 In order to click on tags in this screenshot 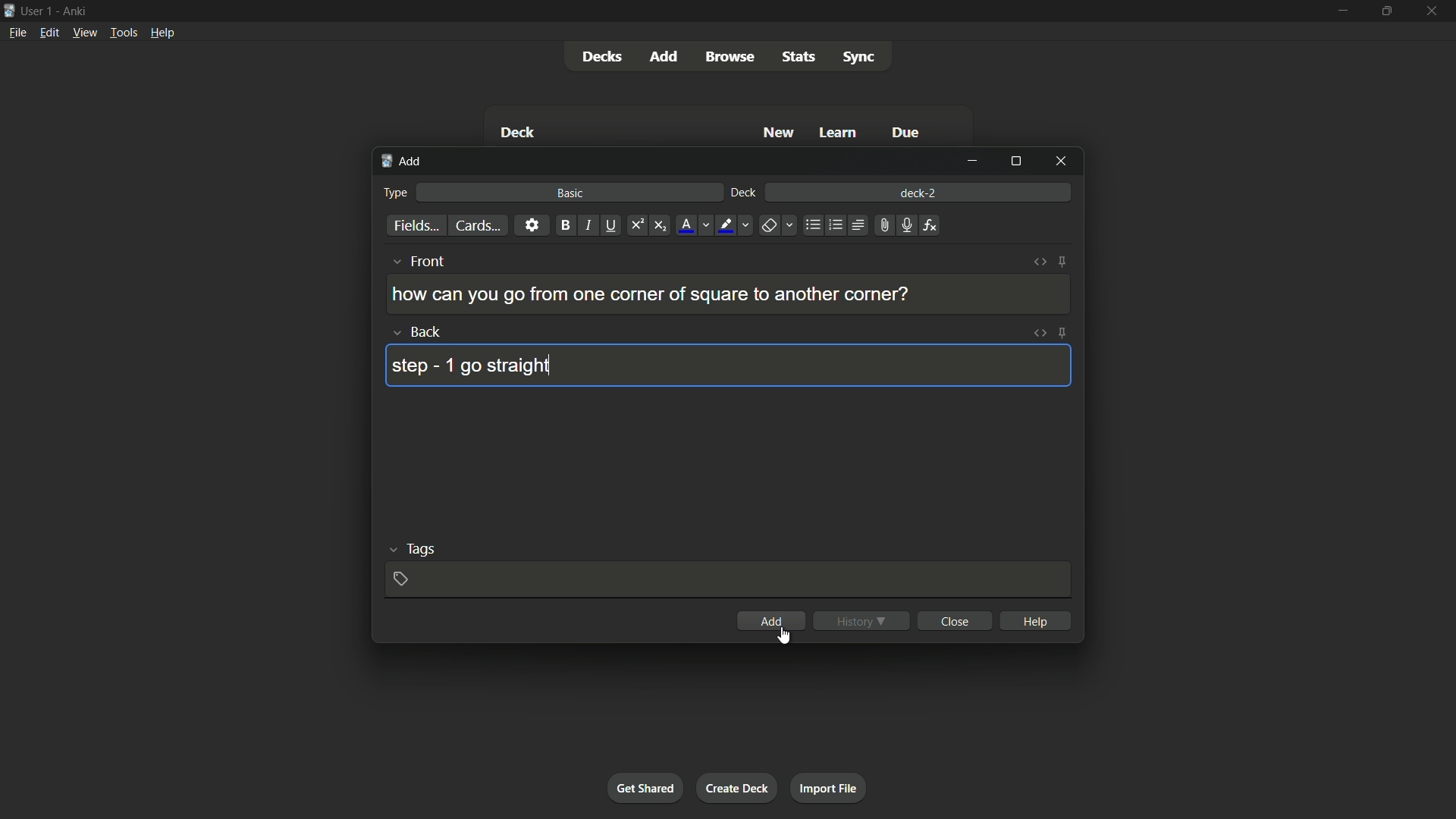, I will do `click(410, 550)`.